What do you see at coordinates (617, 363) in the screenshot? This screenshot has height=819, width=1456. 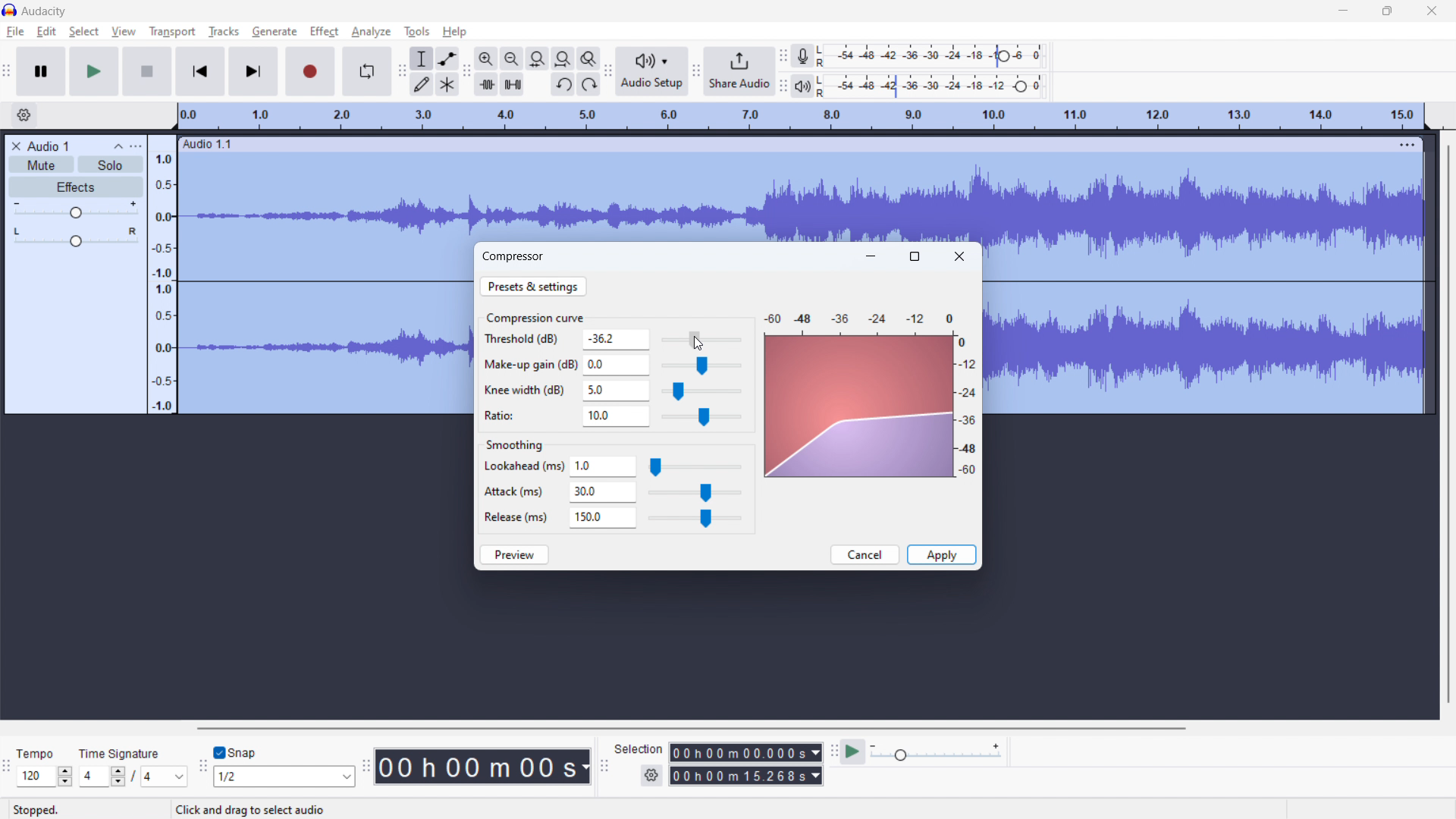 I see `0.0` at bounding box center [617, 363].